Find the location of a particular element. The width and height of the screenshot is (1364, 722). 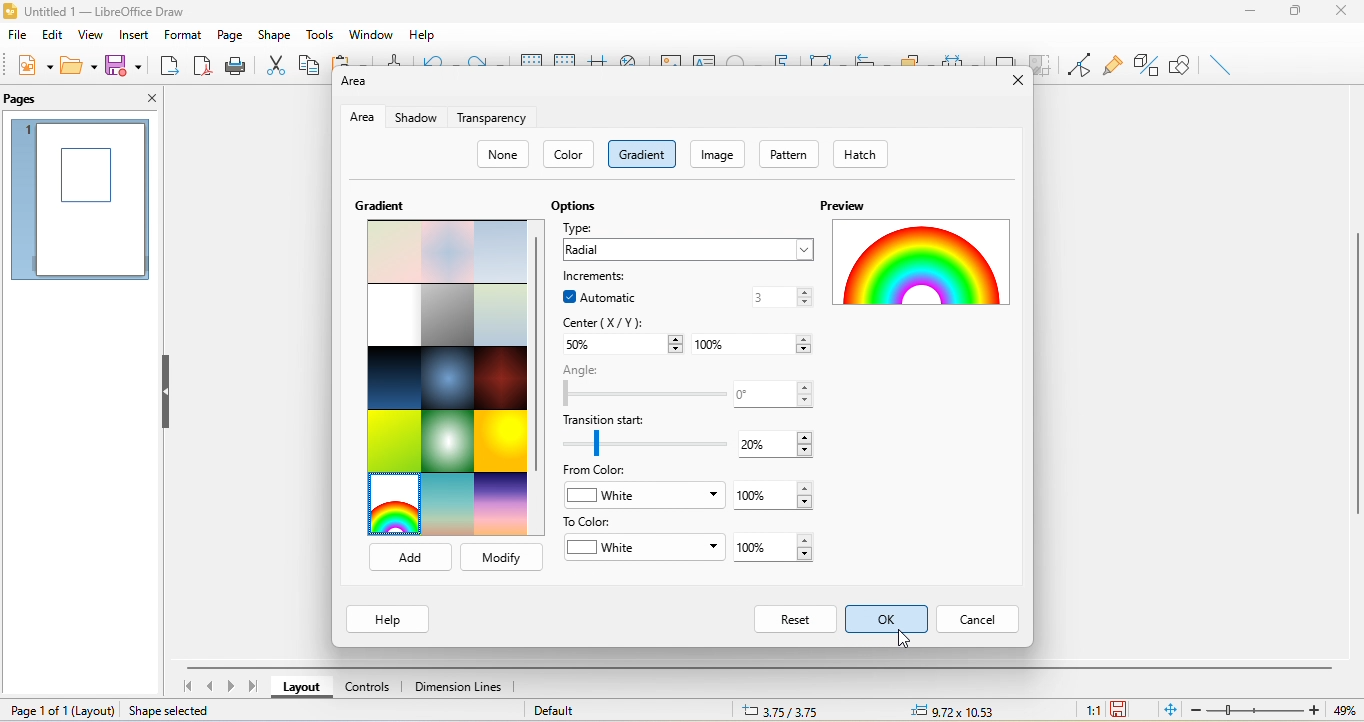

page 1 is located at coordinates (82, 199).